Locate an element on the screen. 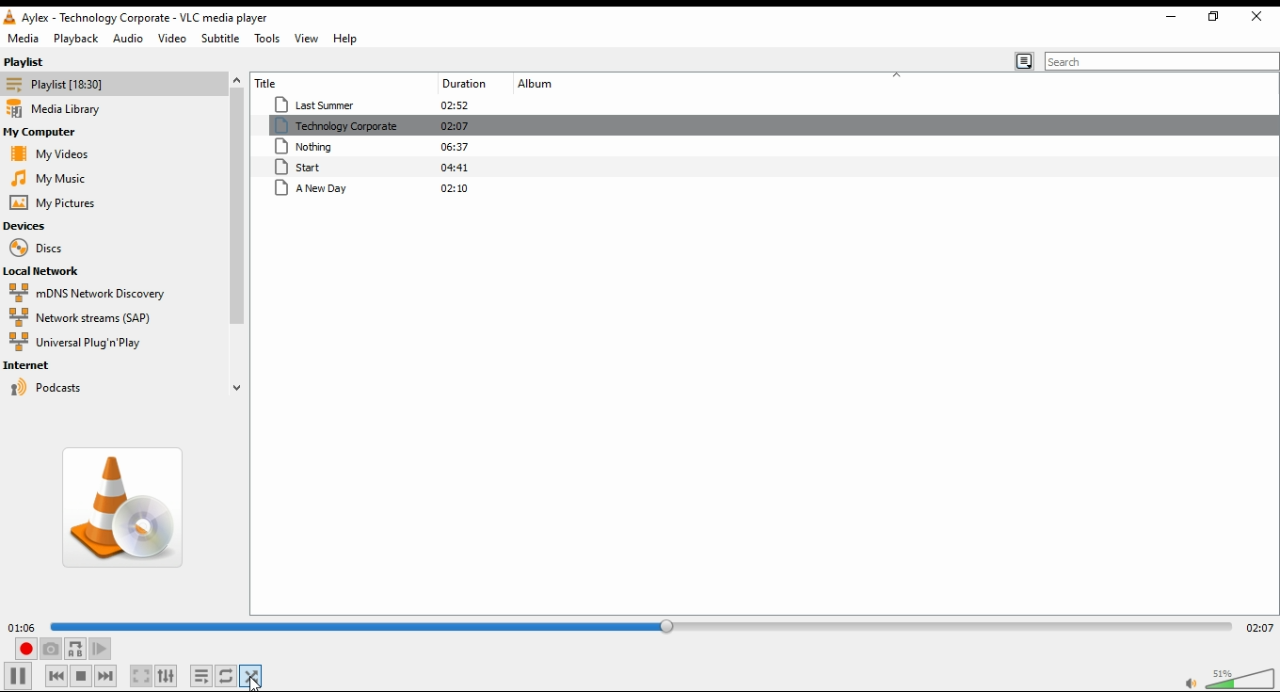  network streams (SAP) is located at coordinates (83, 316).